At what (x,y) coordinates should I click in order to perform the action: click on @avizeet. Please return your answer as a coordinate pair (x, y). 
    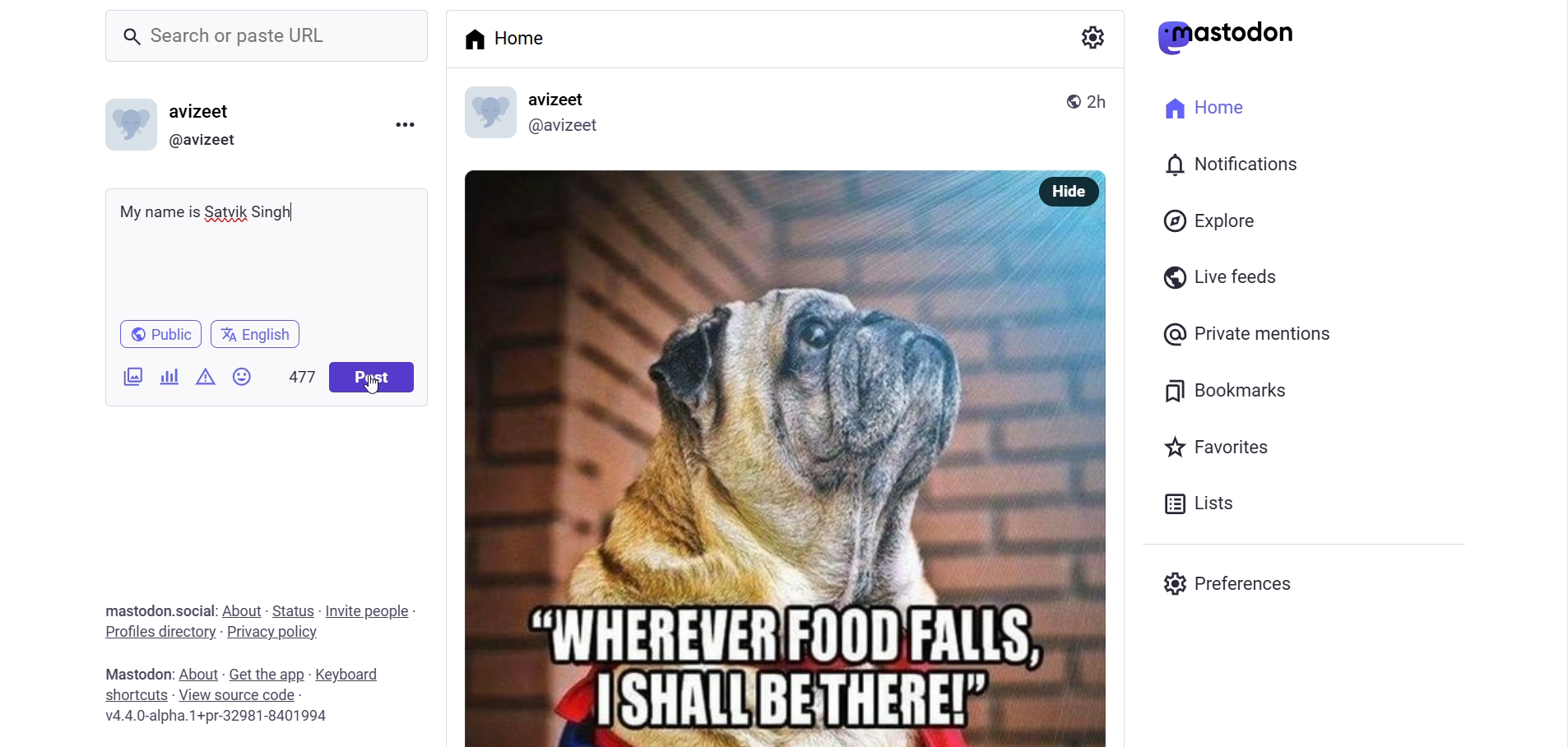
    Looking at the image, I should click on (207, 141).